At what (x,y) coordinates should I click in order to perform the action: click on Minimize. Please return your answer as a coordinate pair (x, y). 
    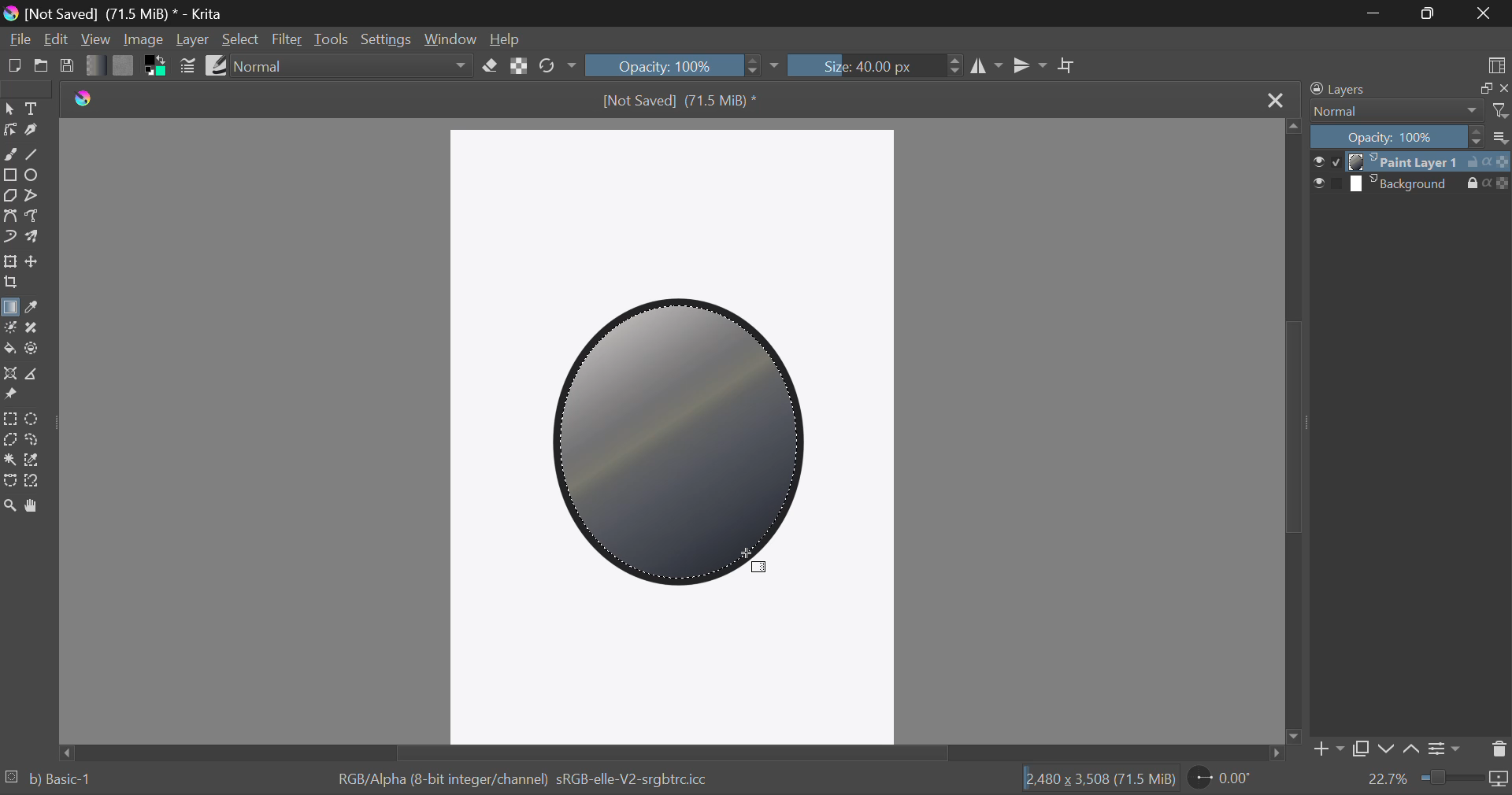
    Looking at the image, I should click on (1430, 14).